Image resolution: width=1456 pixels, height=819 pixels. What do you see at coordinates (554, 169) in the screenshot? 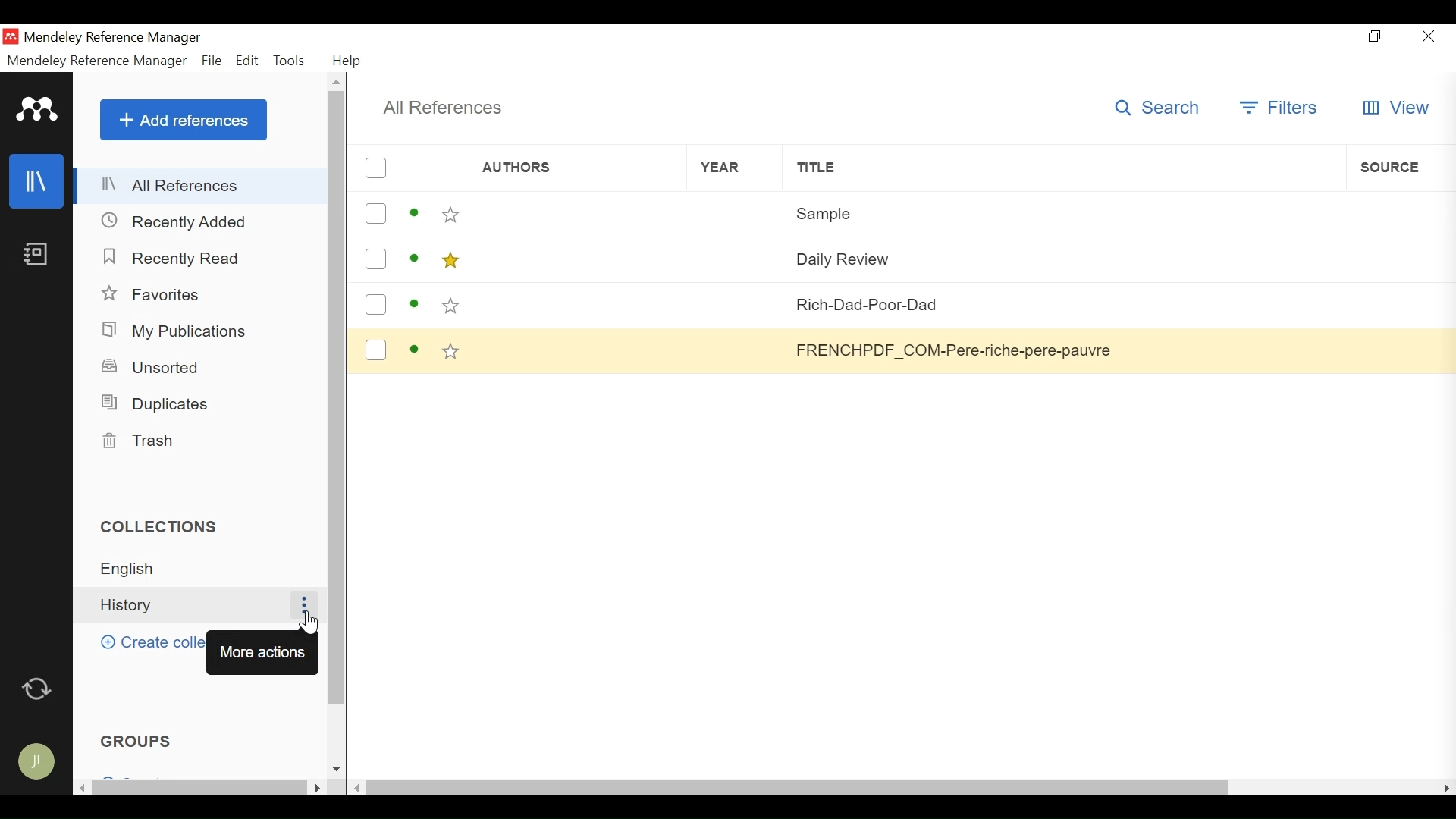
I see `Authors` at bounding box center [554, 169].